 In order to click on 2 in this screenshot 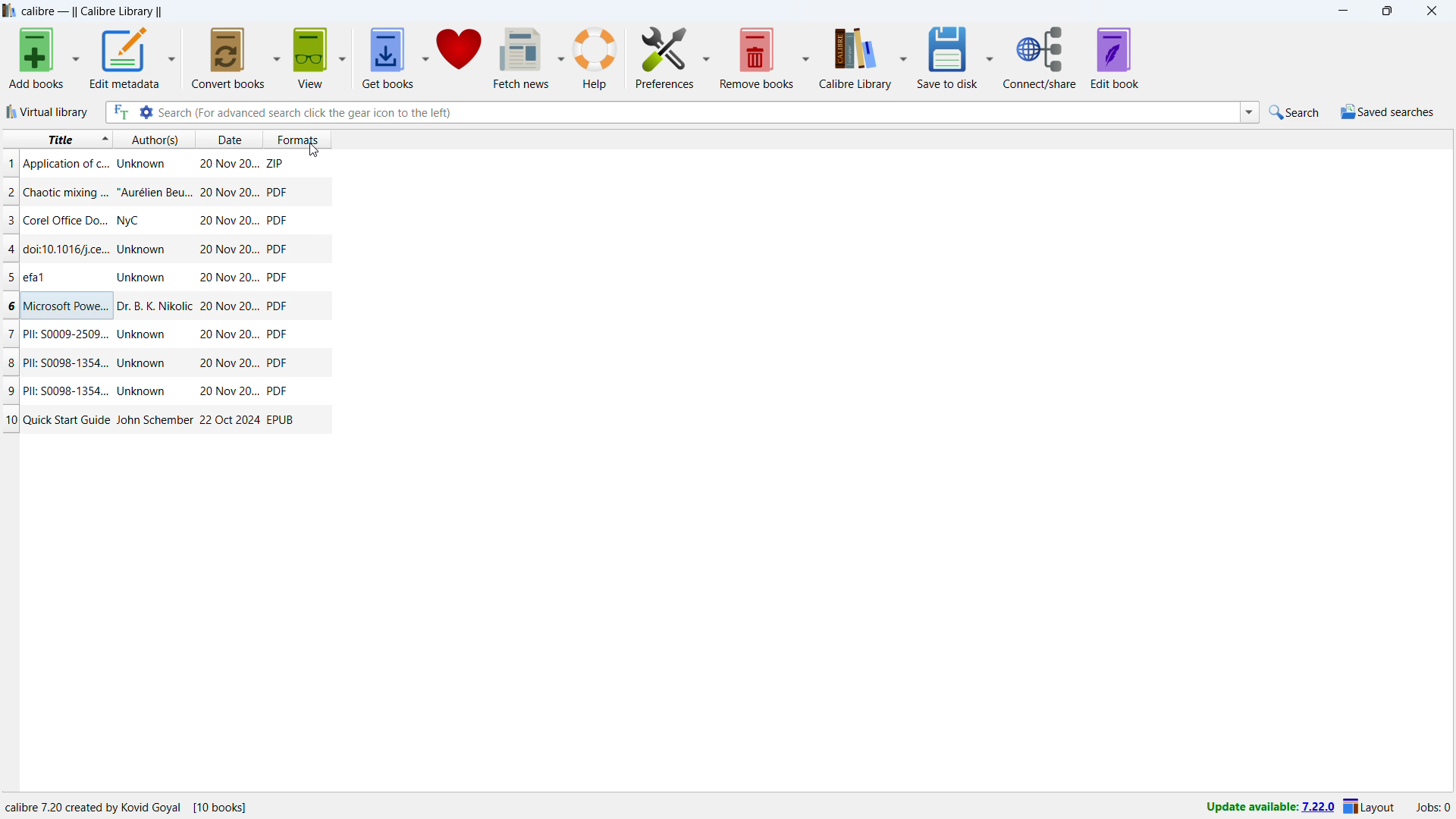, I will do `click(9, 191)`.